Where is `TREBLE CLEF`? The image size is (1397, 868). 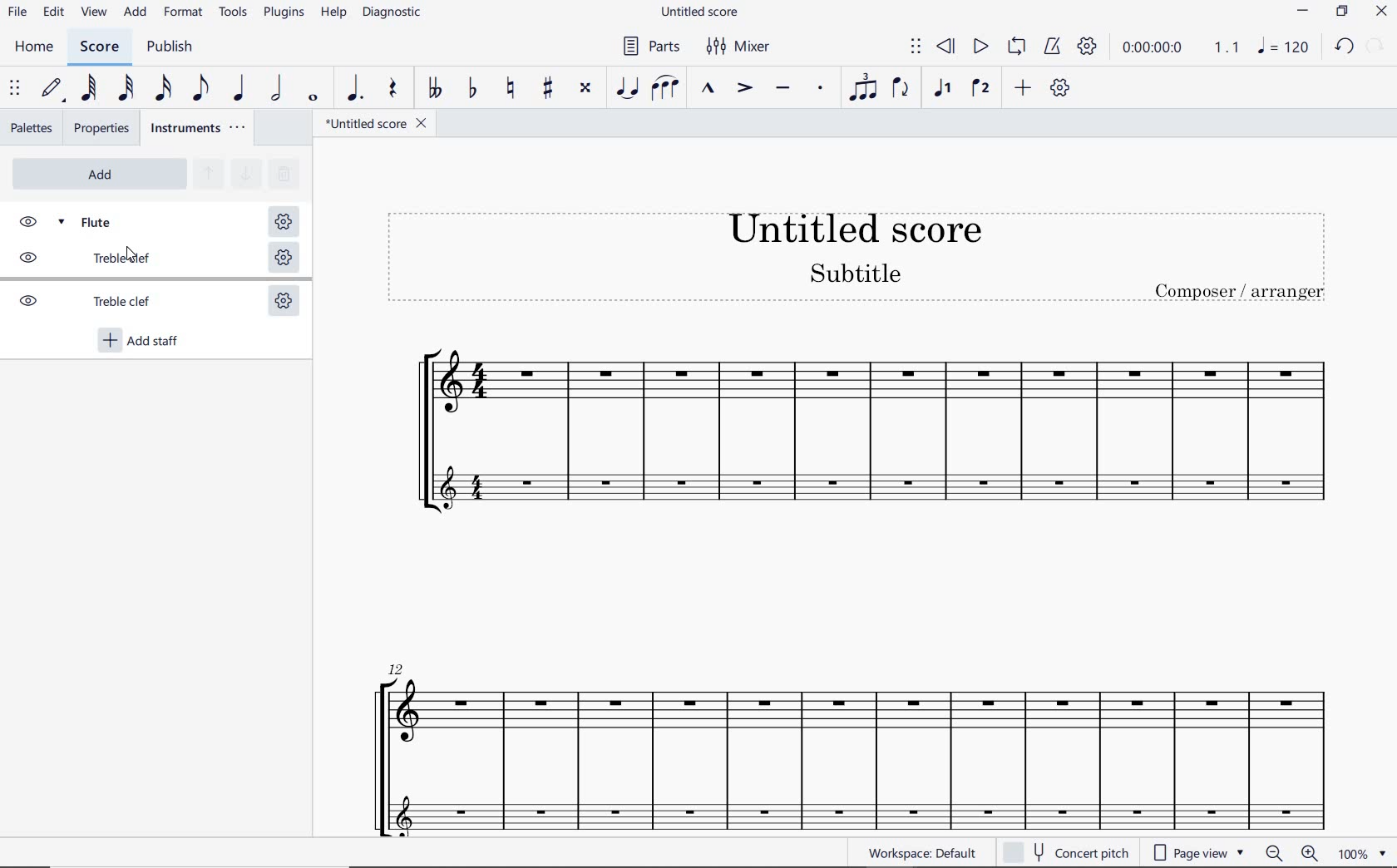 TREBLE CLEF is located at coordinates (102, 261).